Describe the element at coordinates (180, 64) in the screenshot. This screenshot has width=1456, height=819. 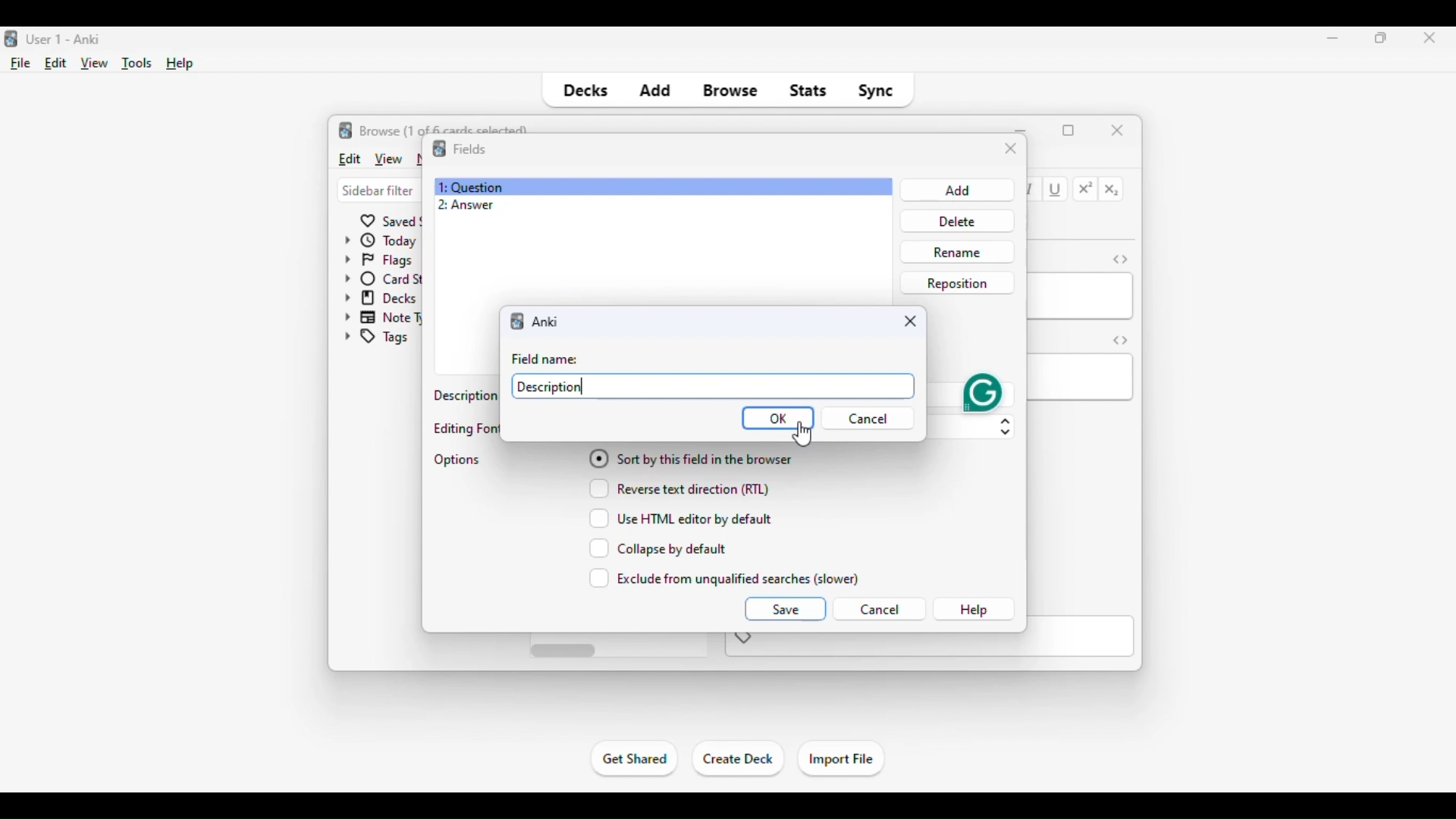
I see `help` at that location.